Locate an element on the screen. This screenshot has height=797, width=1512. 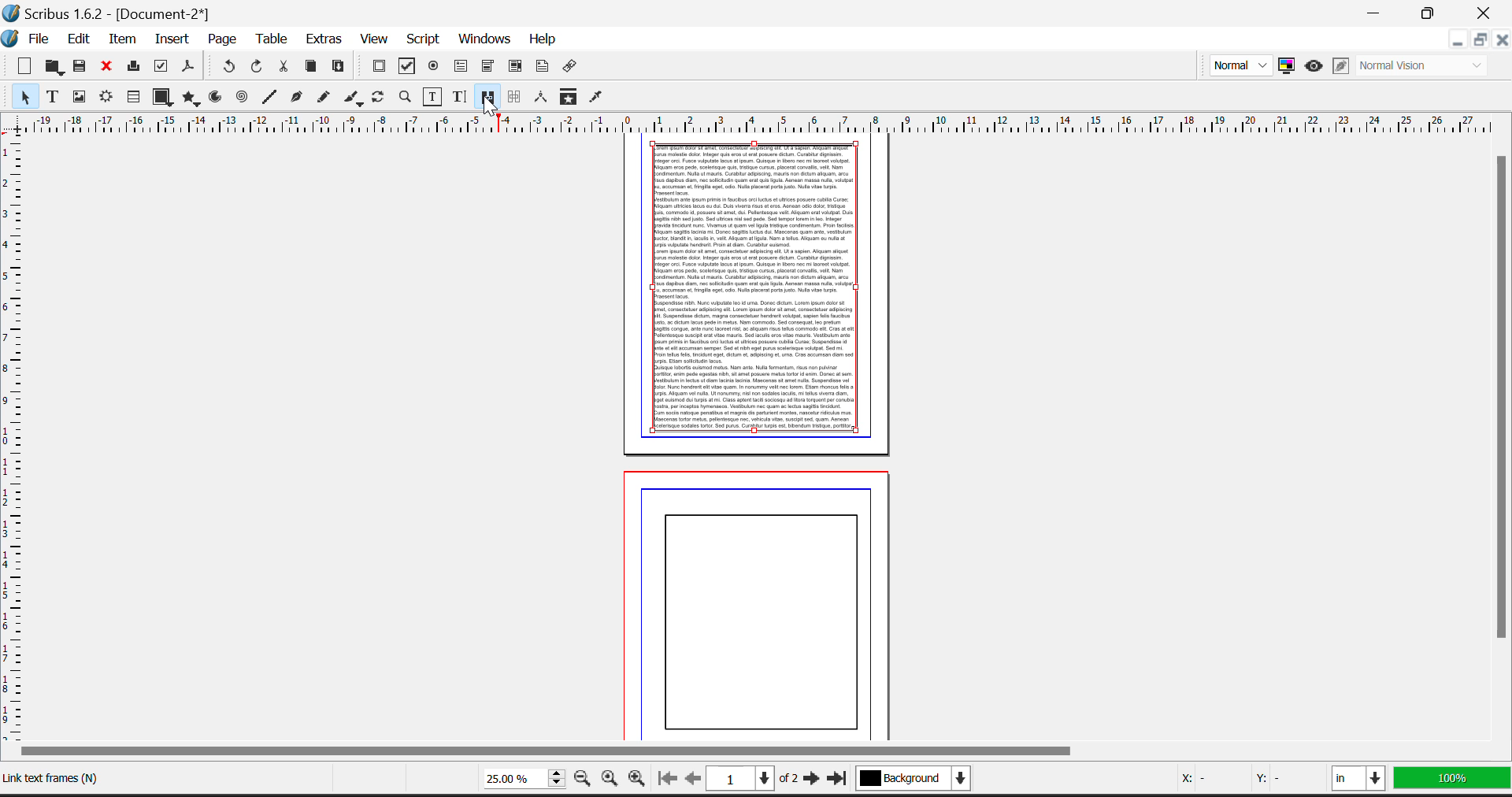
Scroll Bar is located at coordinates (751, 751).